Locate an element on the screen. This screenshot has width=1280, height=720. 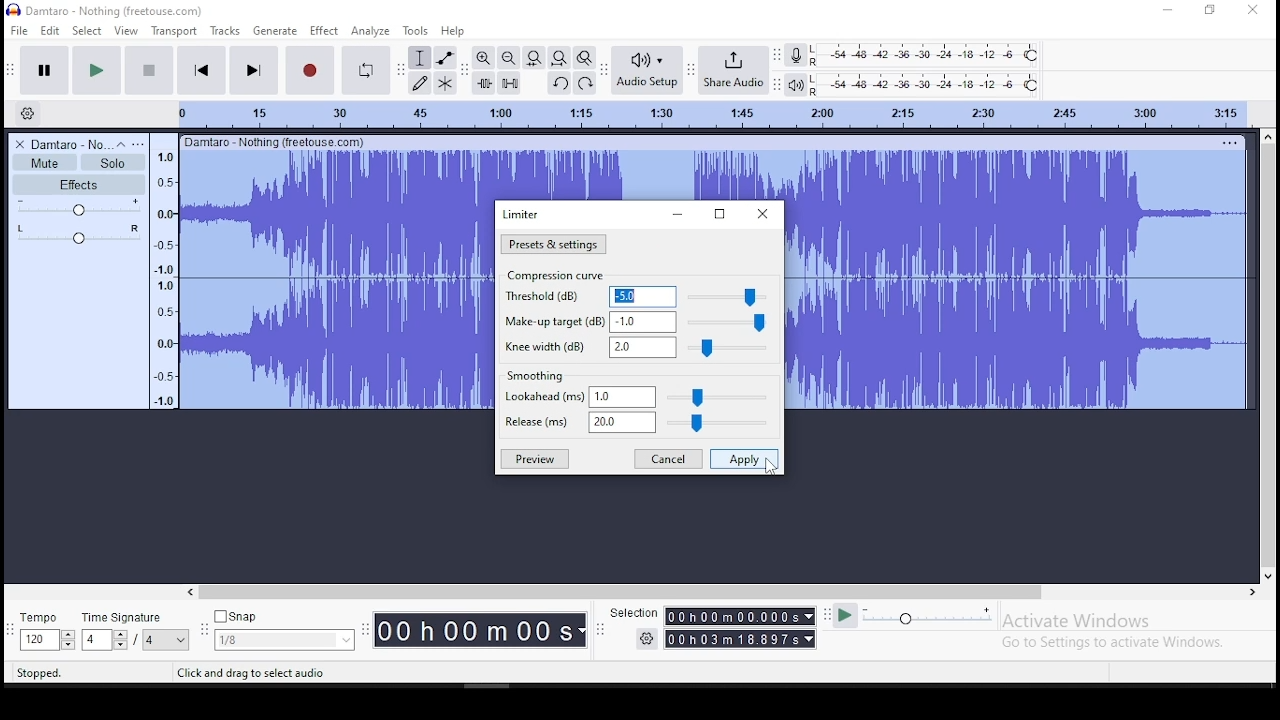
close window is located at coordinates (762, 214).